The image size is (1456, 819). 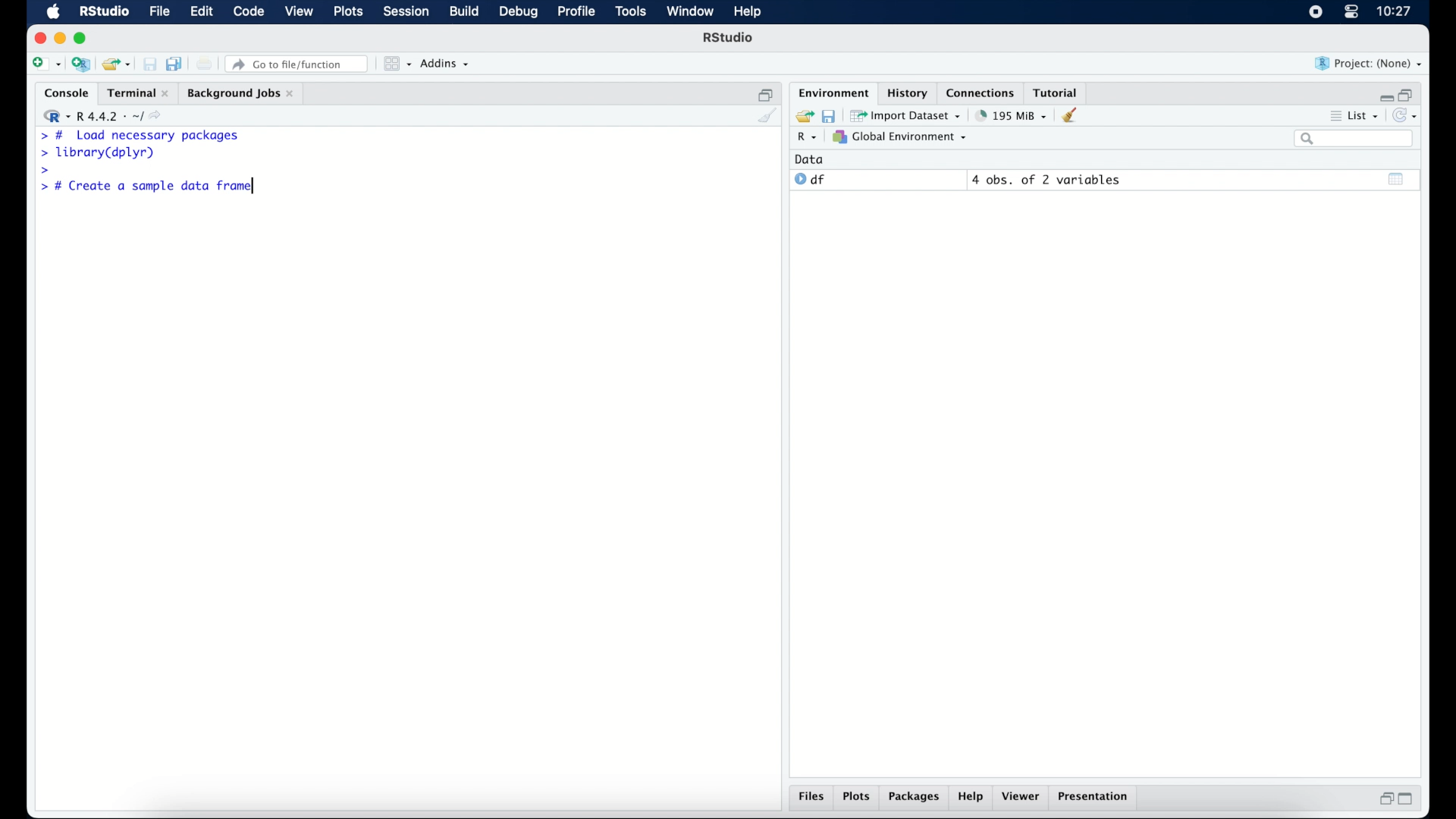 What do you see at coordinates (802, 115) in the screenshot?
I see `load workspace` at bounding box center [802, 115].